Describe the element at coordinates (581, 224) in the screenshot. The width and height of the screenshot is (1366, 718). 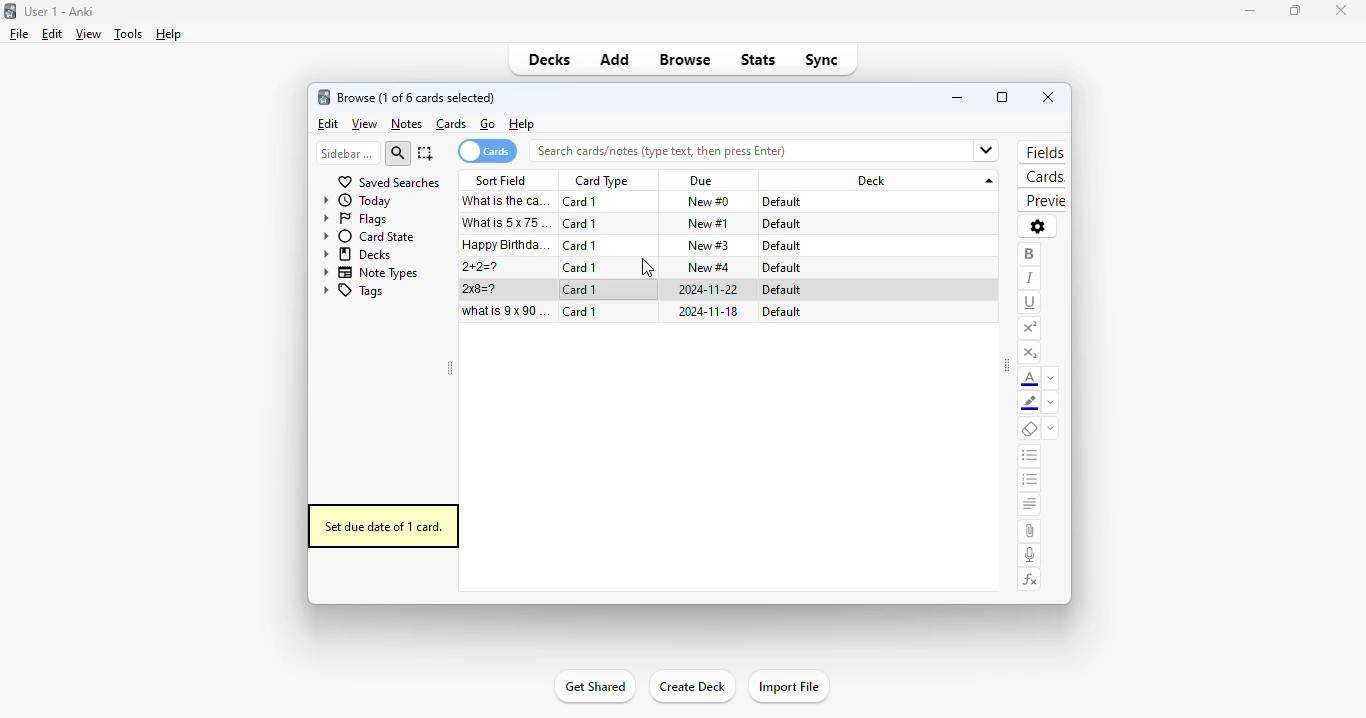
I see `card 1` at that location.